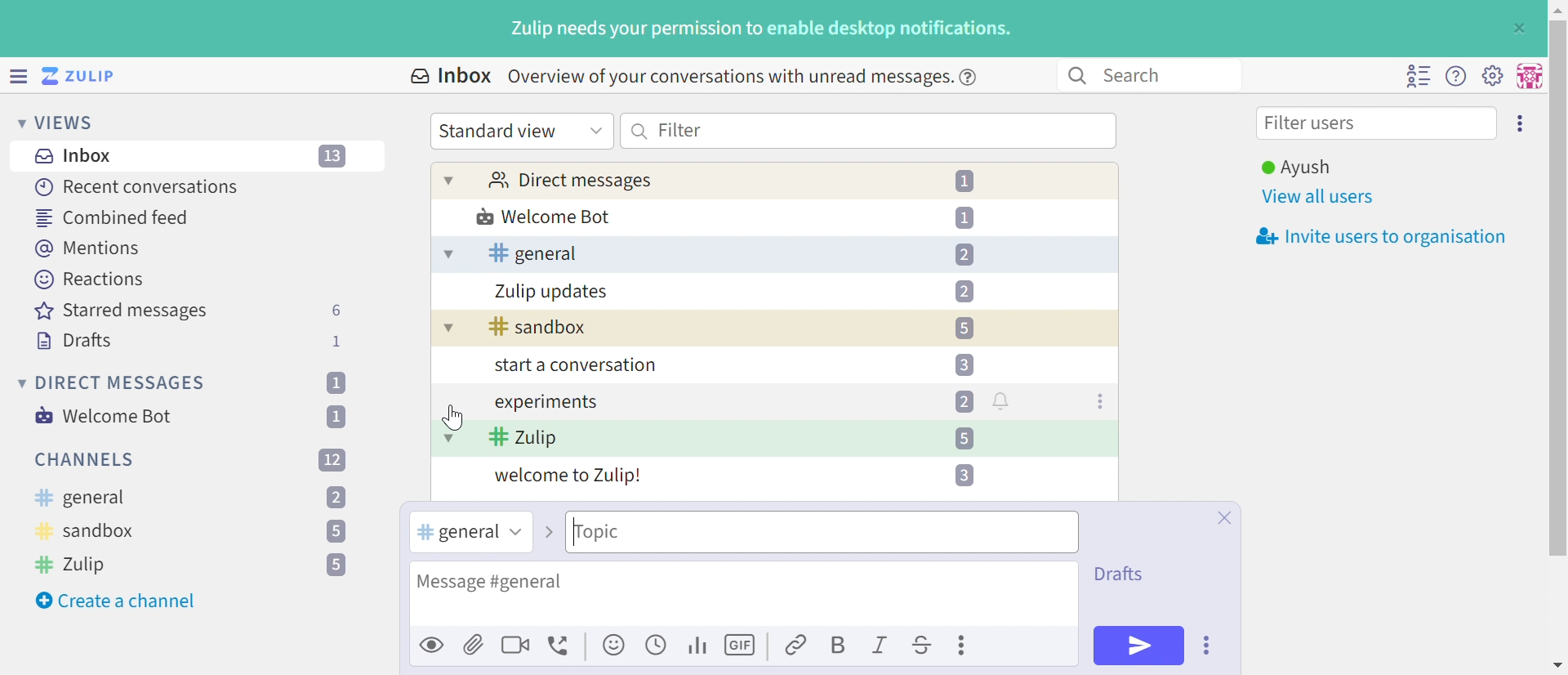 The image size is (1568, 675). Describe the element at coordinates (1557, 8) in the screenshot. I see `move up` at that location.